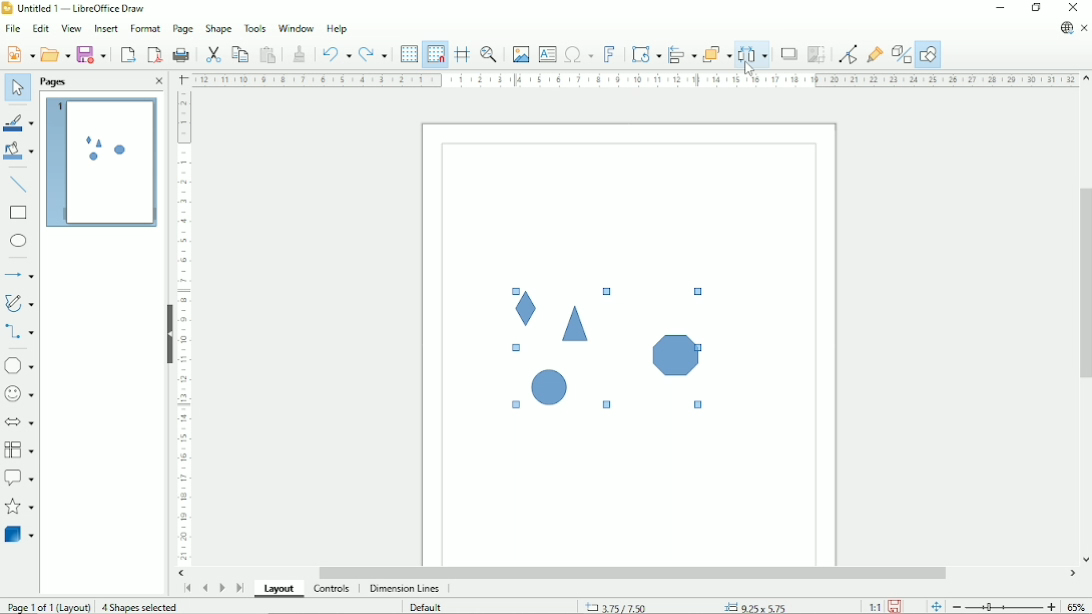 This screenshot has width=1092, height=614. Describe the element at coordinates (610, 54) in the screenshot. I see `insert fontwork text` at that location.